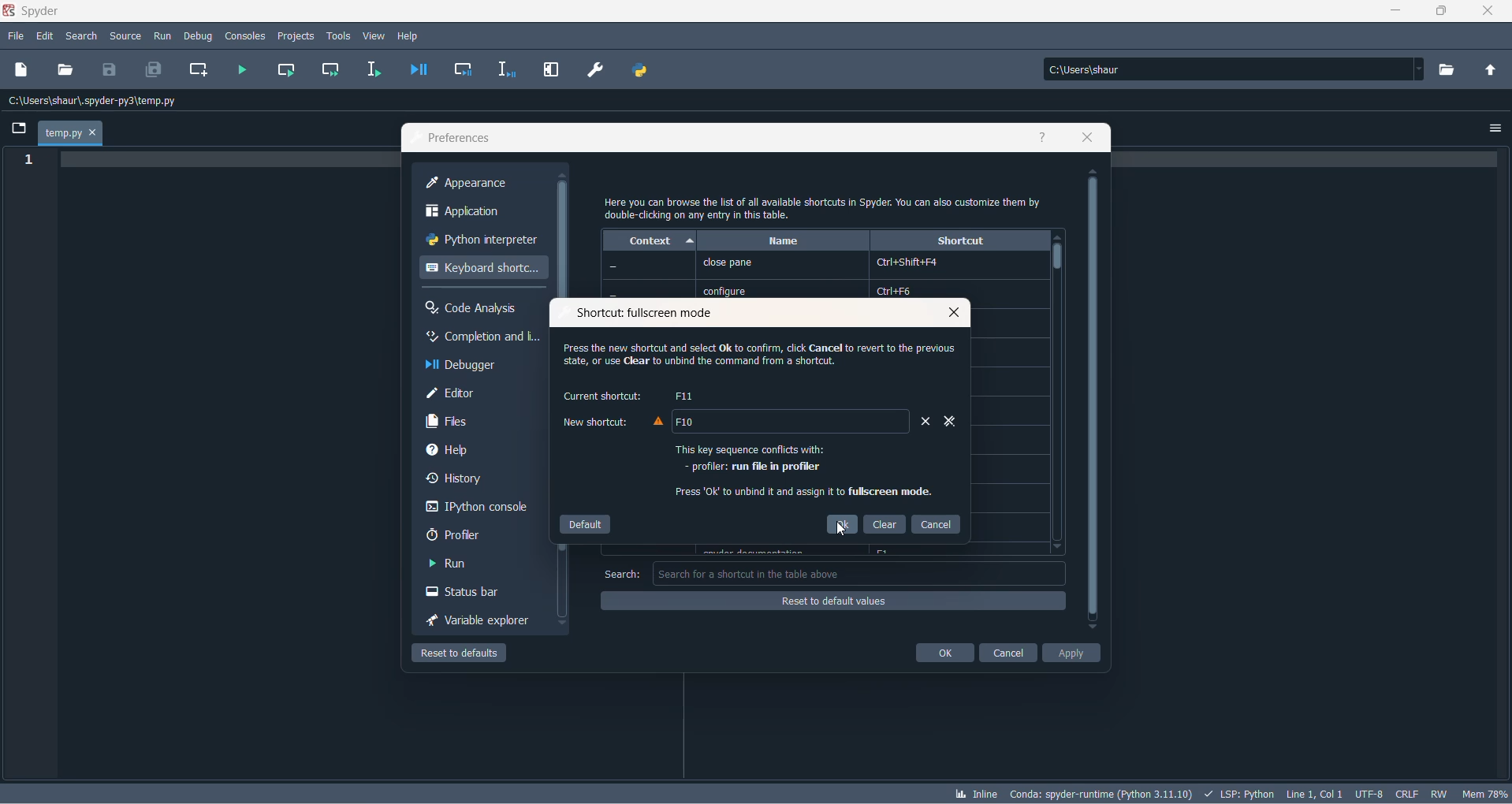 The image size is (1512, 804). I want to click on f10, so click(691, 422).